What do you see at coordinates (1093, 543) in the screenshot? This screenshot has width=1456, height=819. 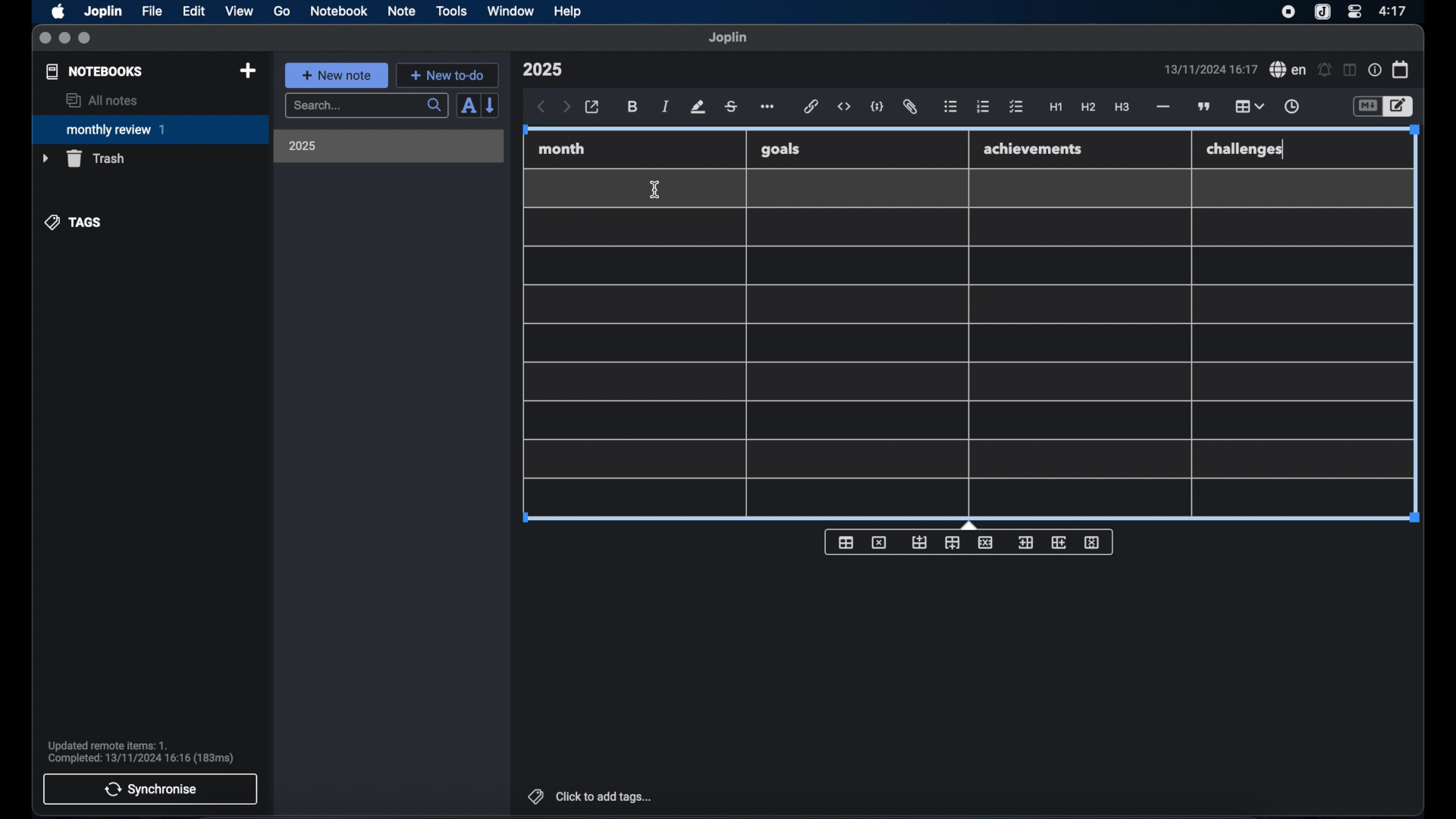 I see `delete column` at bounding box center [1093, 543].